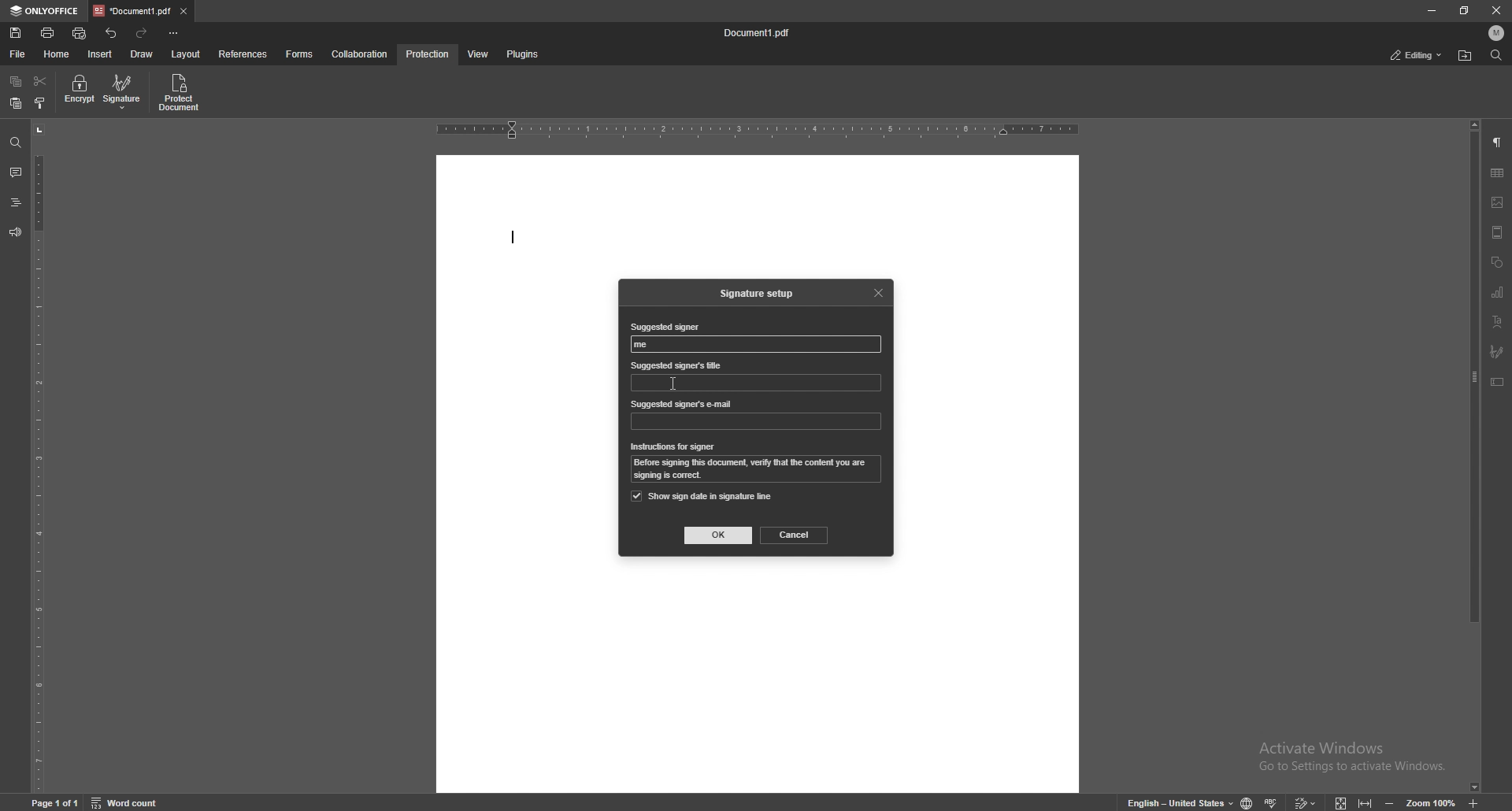  I want to click on scroll bar, so click(1475, 457).